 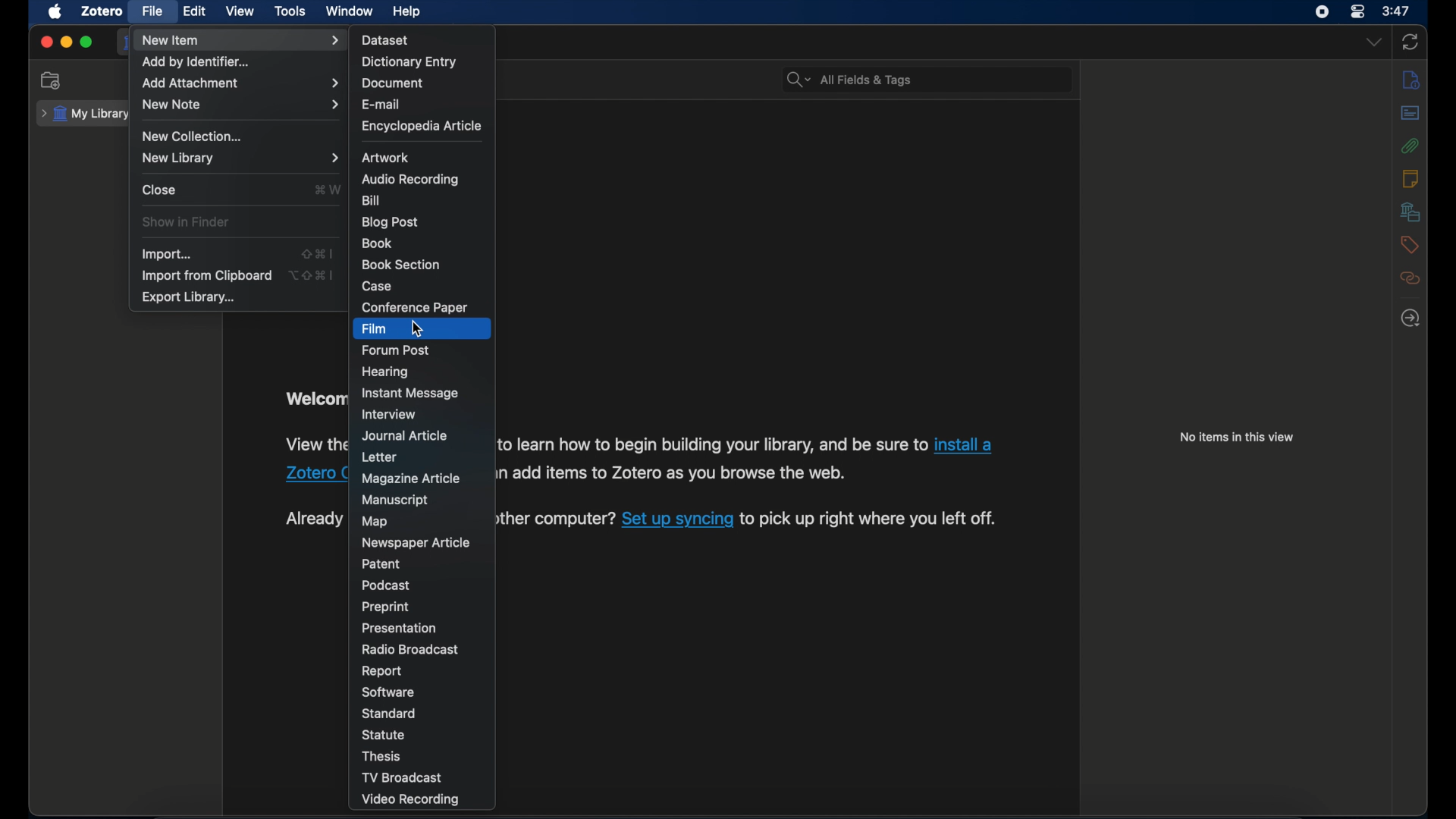 I want to click on hyperlink, so click(x=310, y=476).